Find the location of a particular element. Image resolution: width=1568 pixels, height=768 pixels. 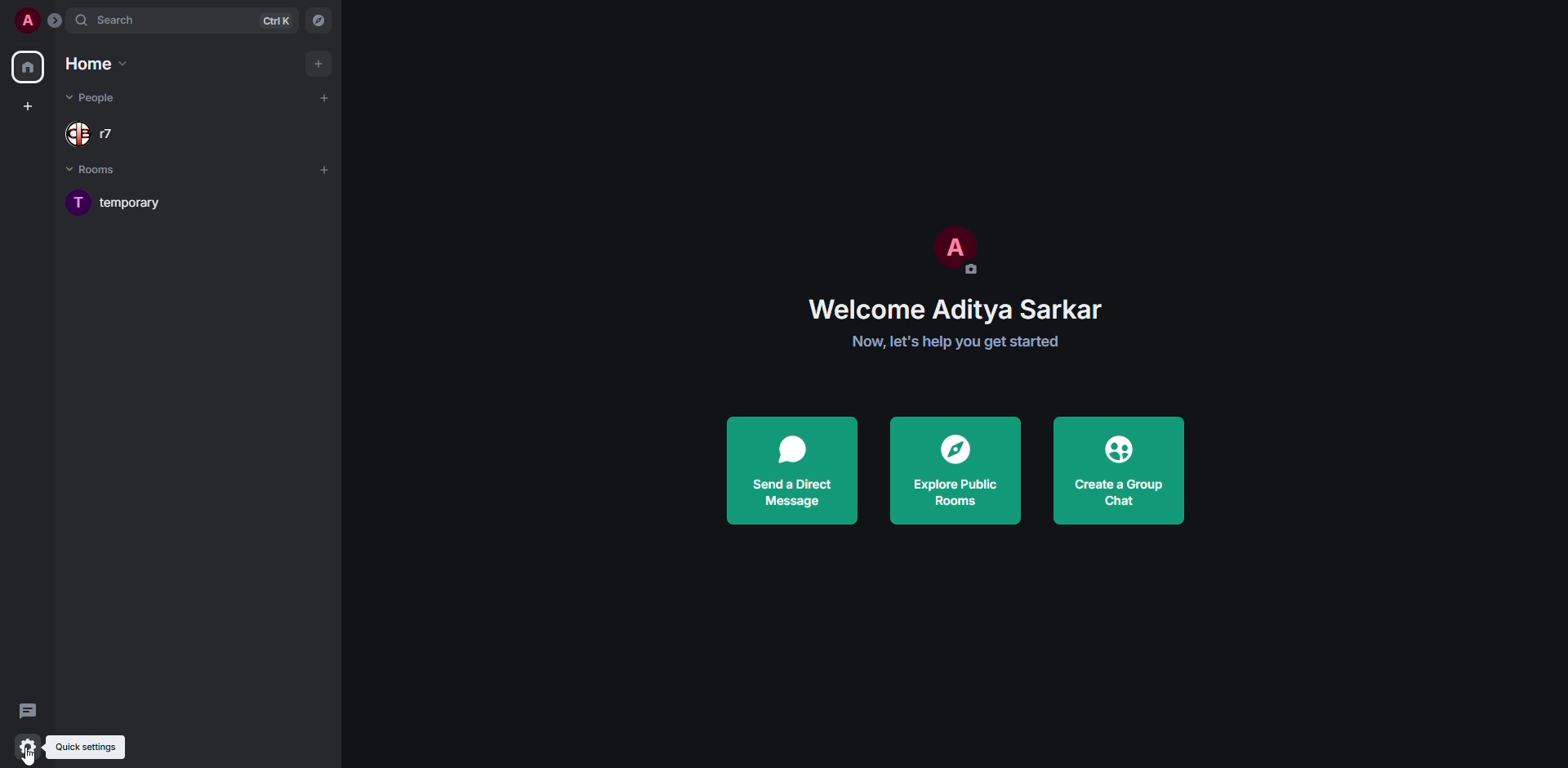

search is located at coordinates (111, 19).